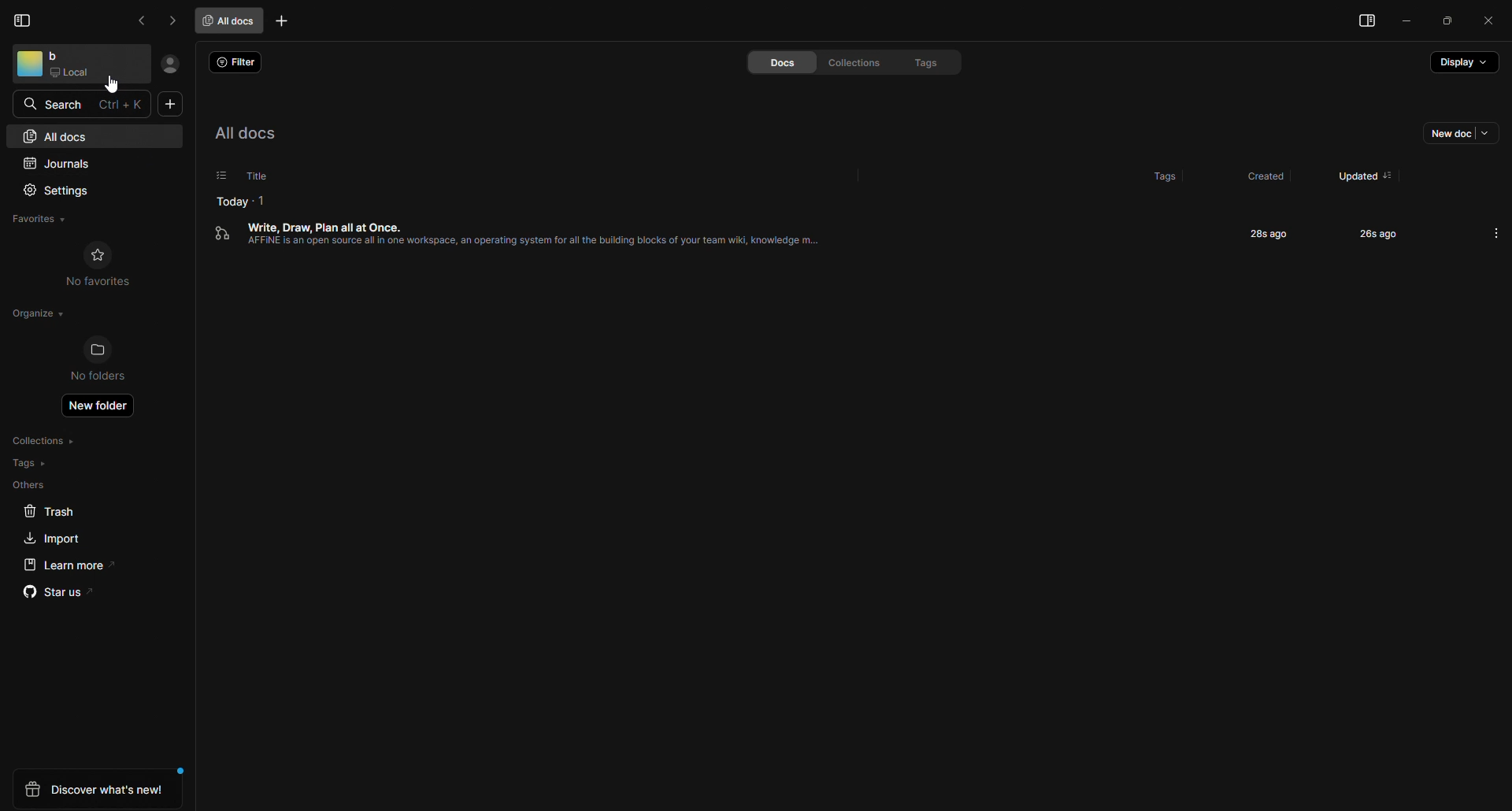  Describe the element at coordinates (35, 313) in the screenshot. I see `organize` at that location.